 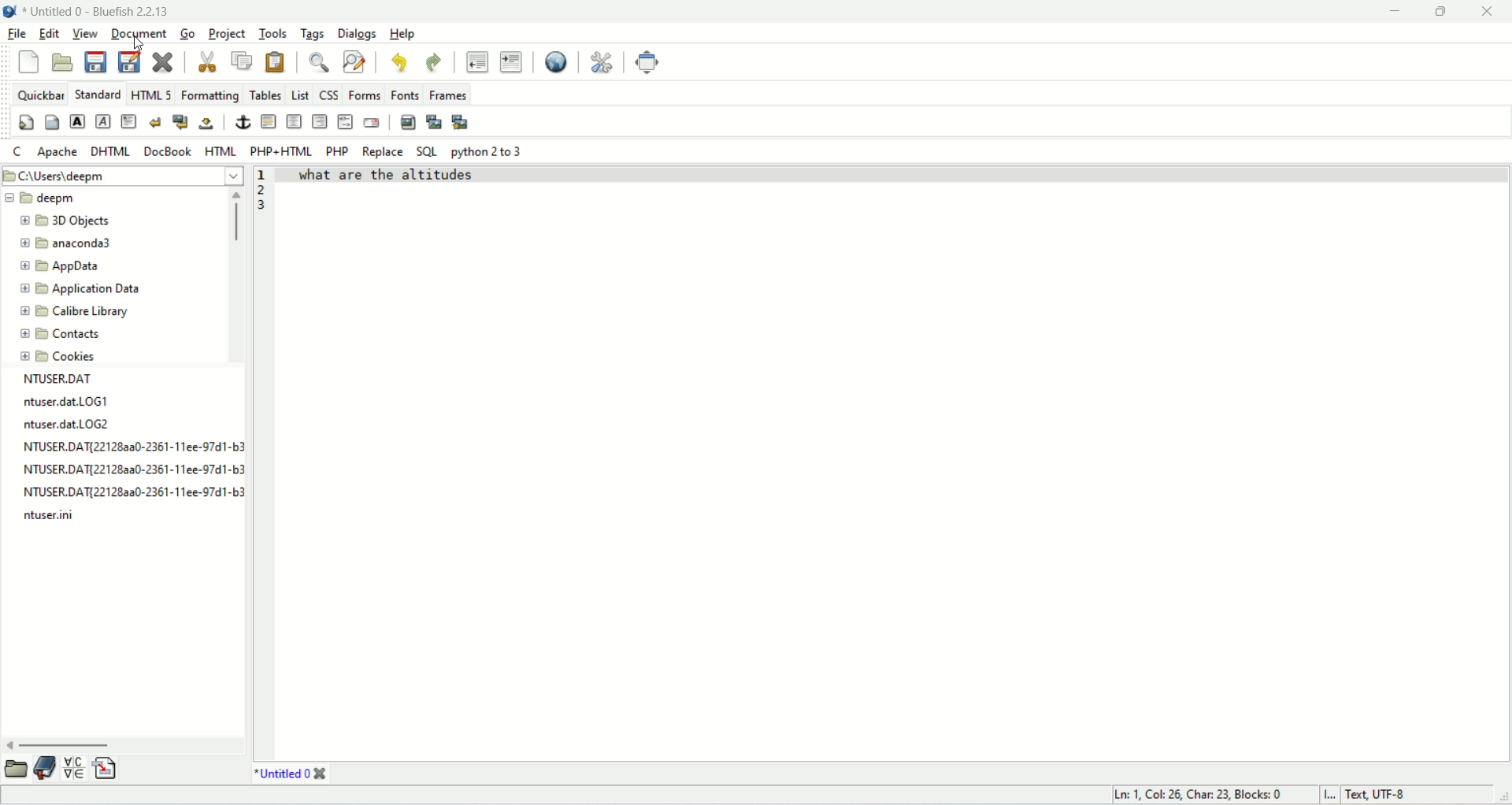 I want to click on maximize, so click(x=1440, y=13).